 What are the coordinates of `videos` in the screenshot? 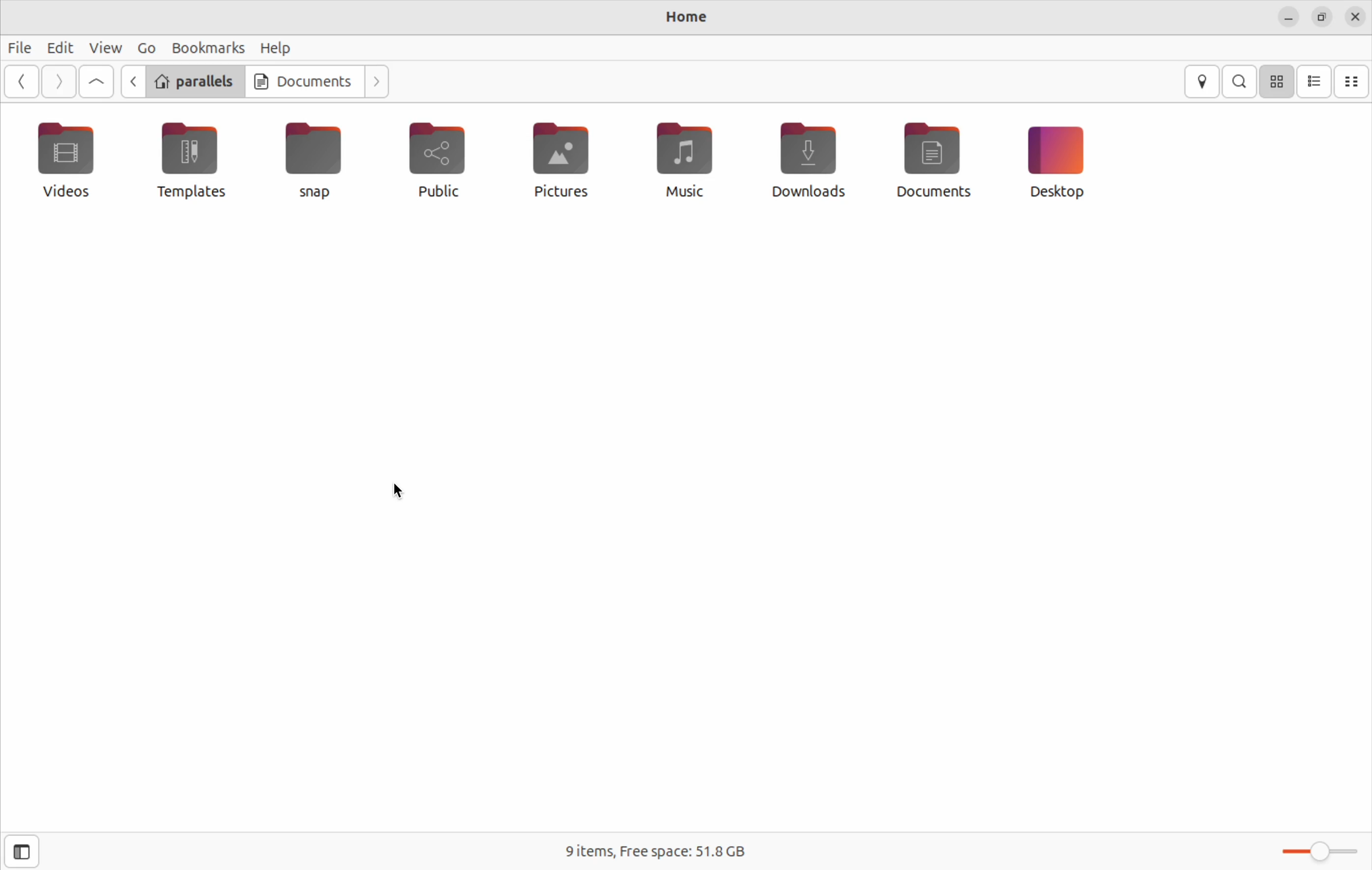 It's located at (73, 165).